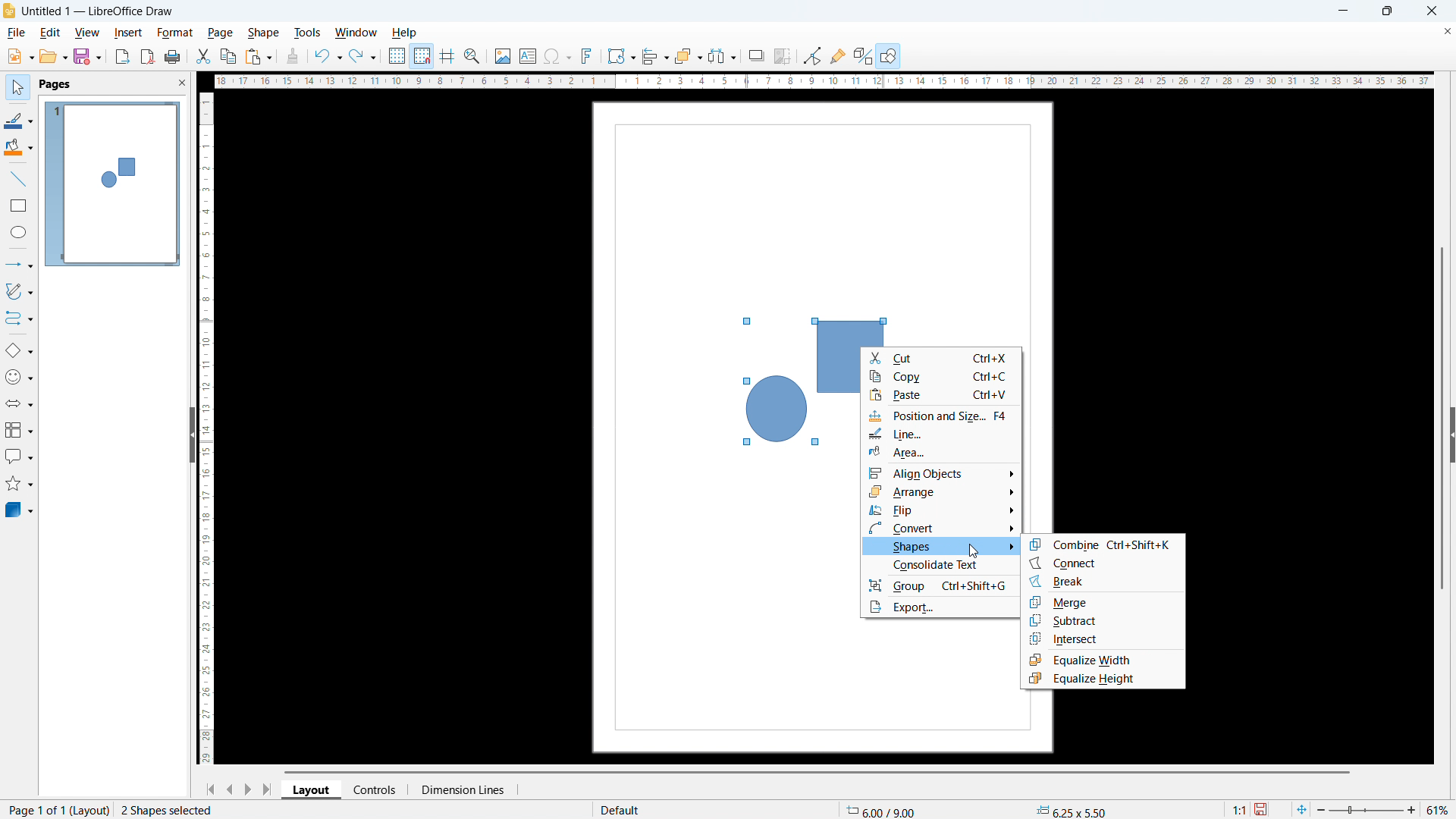  What do you see at coordinates (53, 57) in the screenshot?
I see `open` at bounding box center [53, 57].